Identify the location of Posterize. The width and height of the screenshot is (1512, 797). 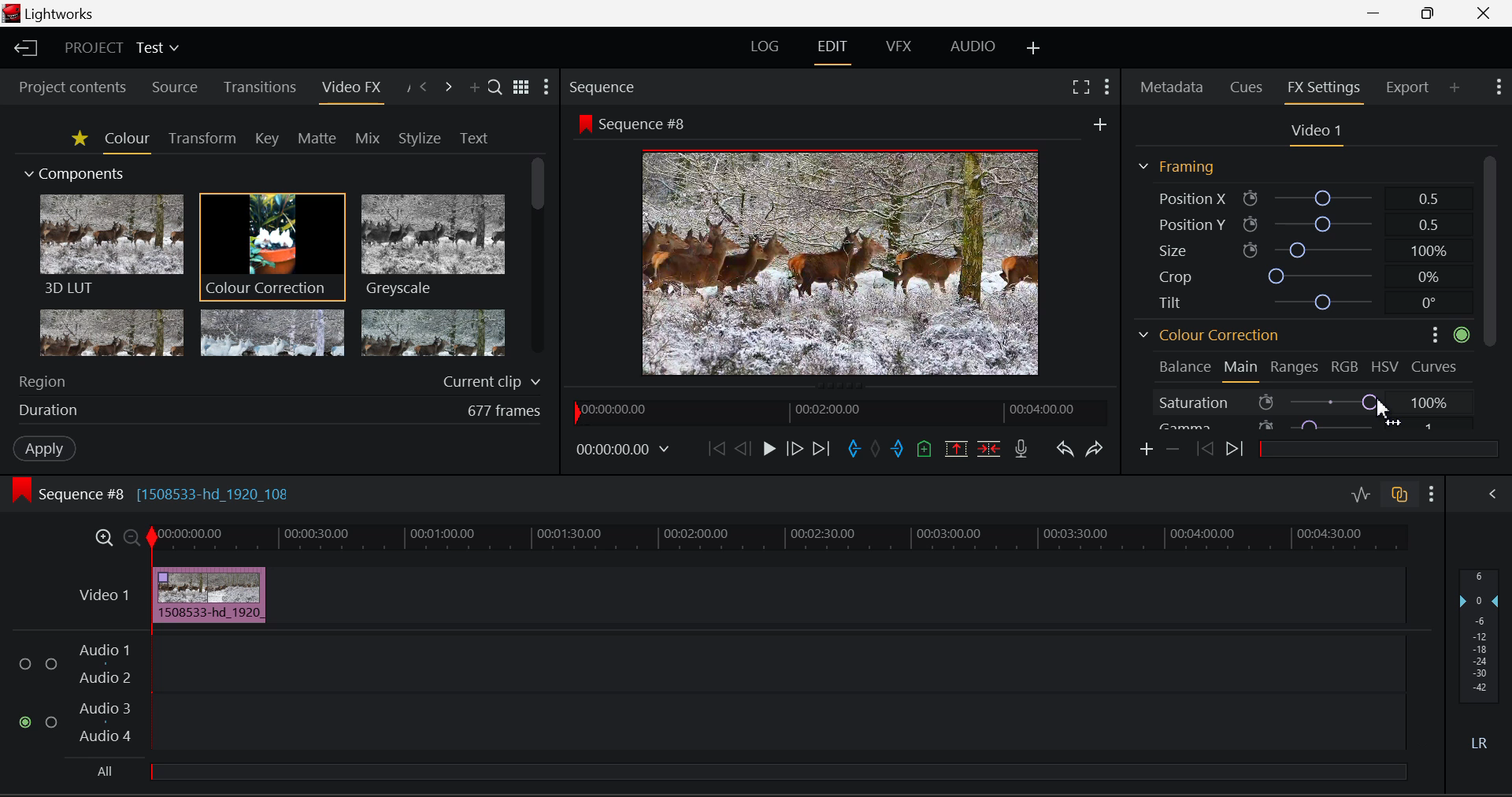
(431, 332).